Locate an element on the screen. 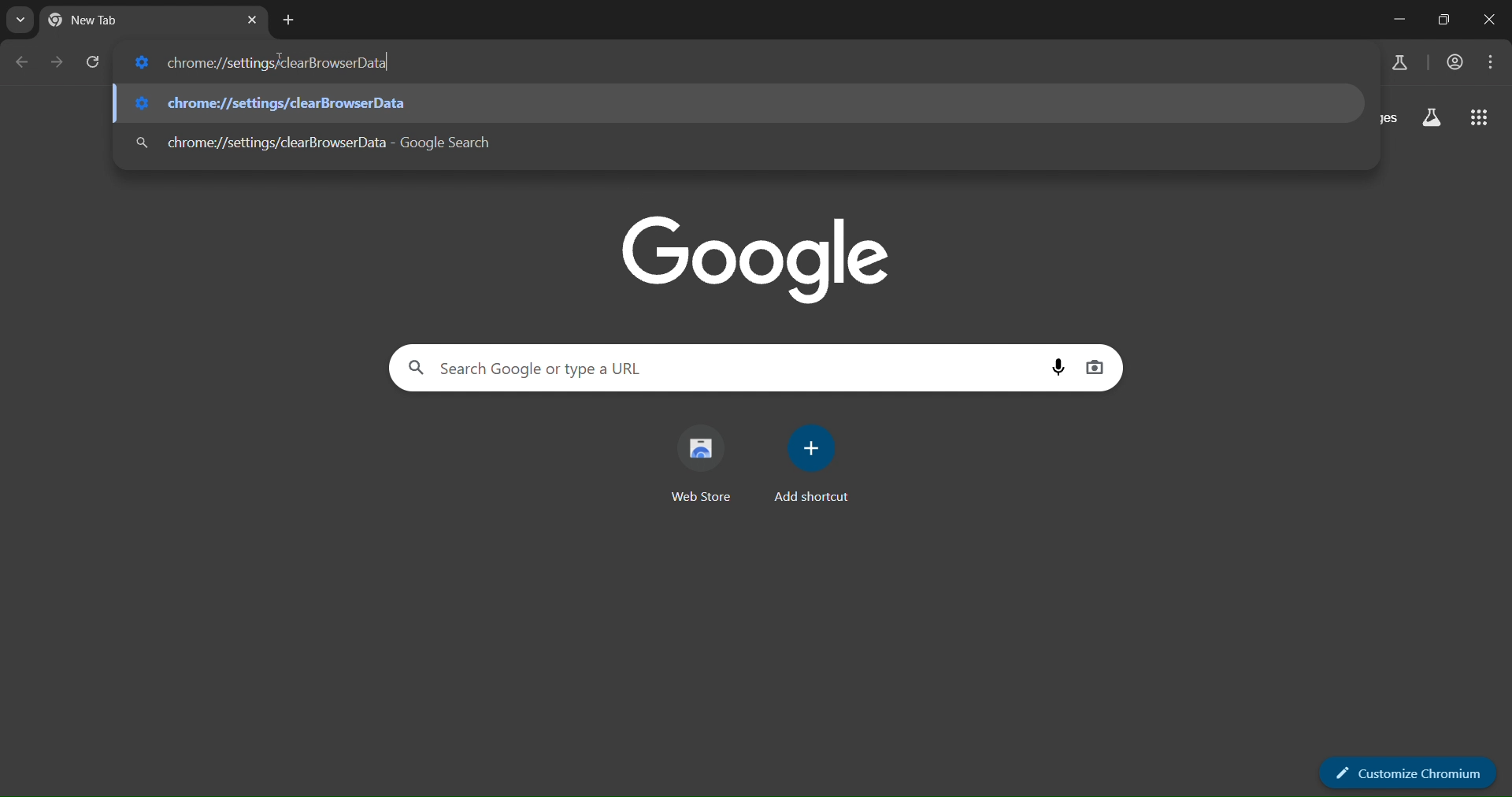 This screenshot has height=797, width=1512. google apps is located at coordinates (1480, 117).